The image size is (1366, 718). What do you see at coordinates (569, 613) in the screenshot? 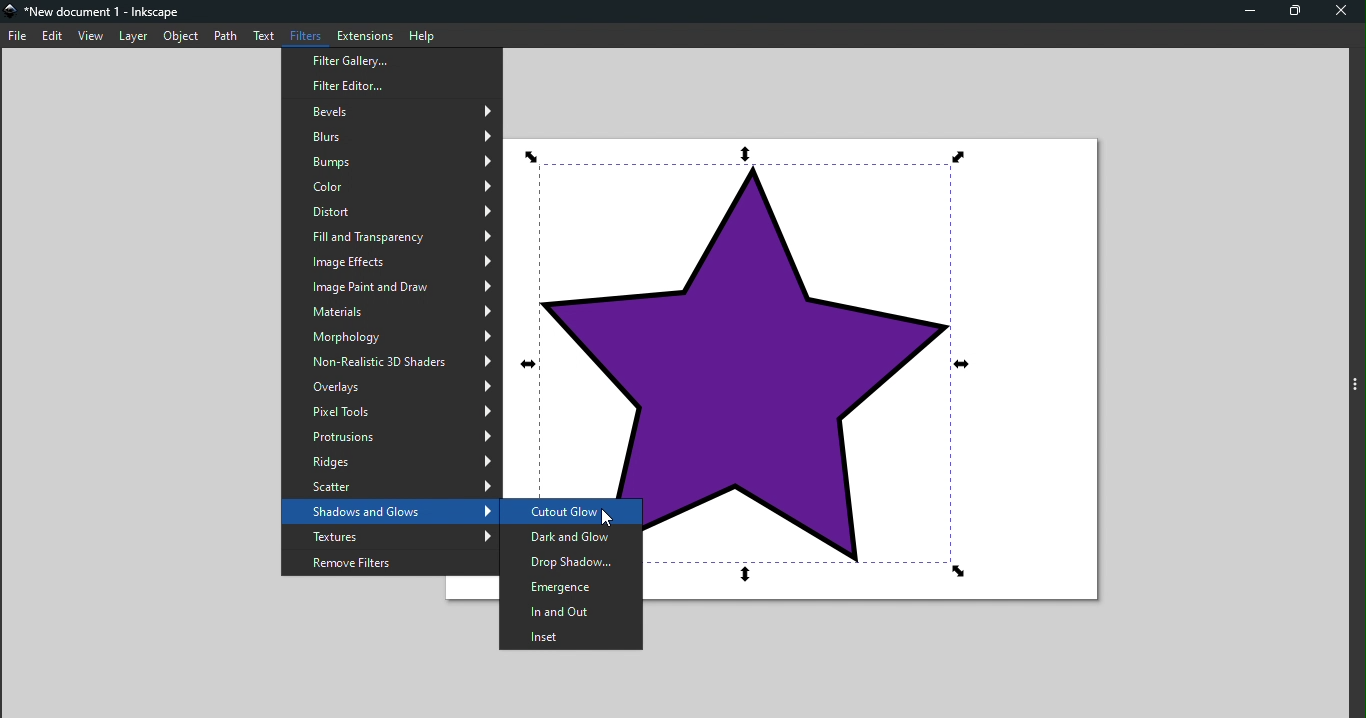
I see `In and out` at bounding box center [569, 613].